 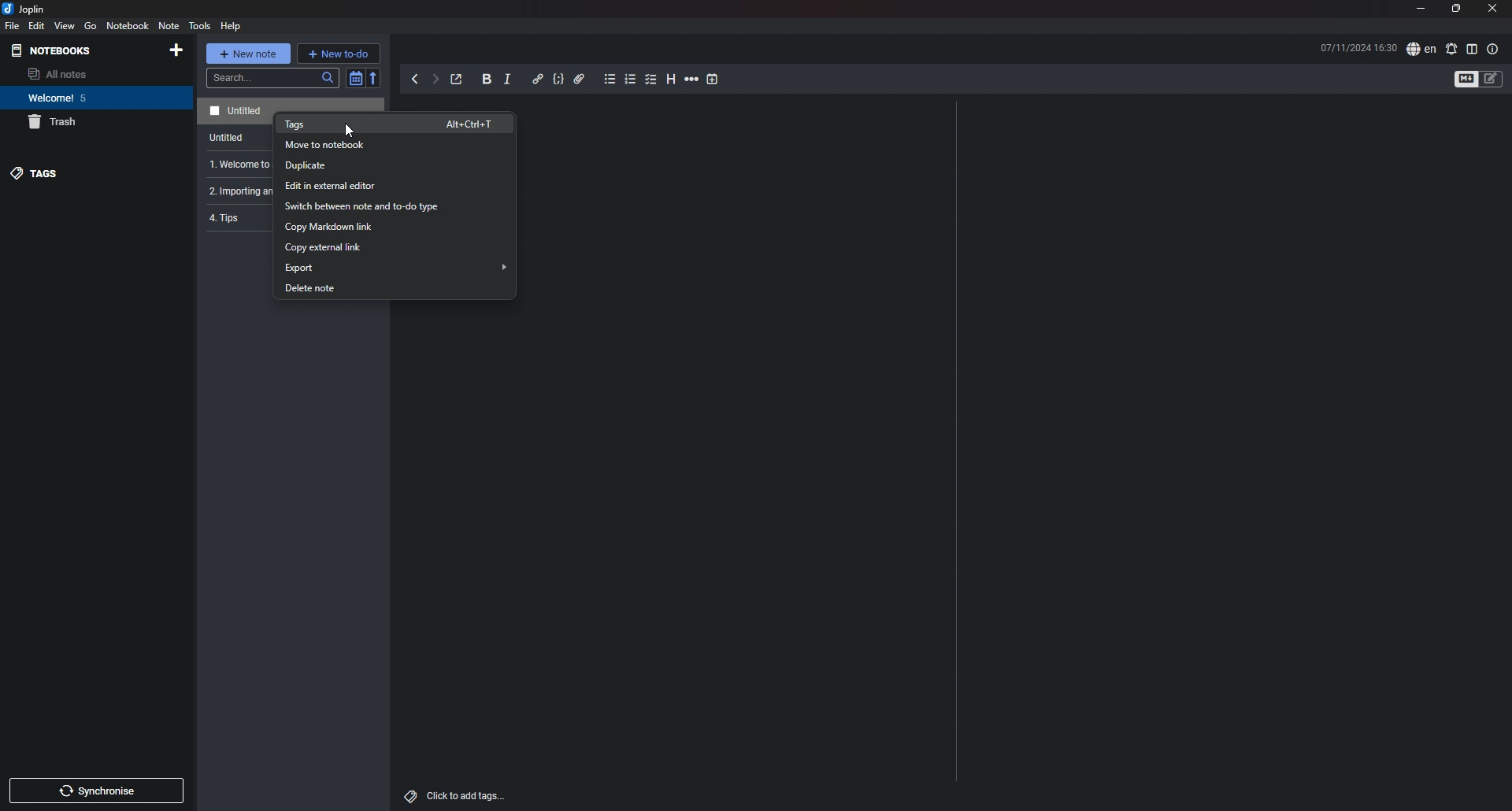 What do you see at coordinates (83, 123) in the screenshot?
I see `trash` at bounding box center [83, 123].